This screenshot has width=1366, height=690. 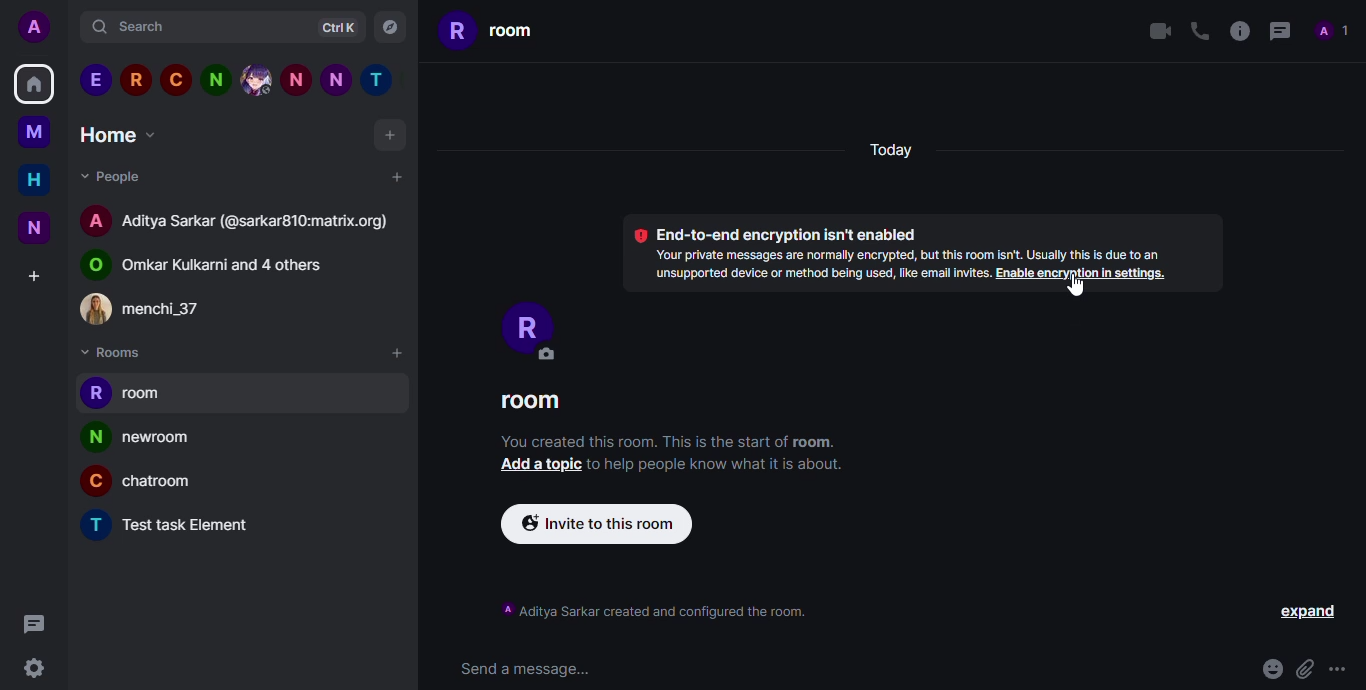 I want to click on add, so click(x=389, y=135).